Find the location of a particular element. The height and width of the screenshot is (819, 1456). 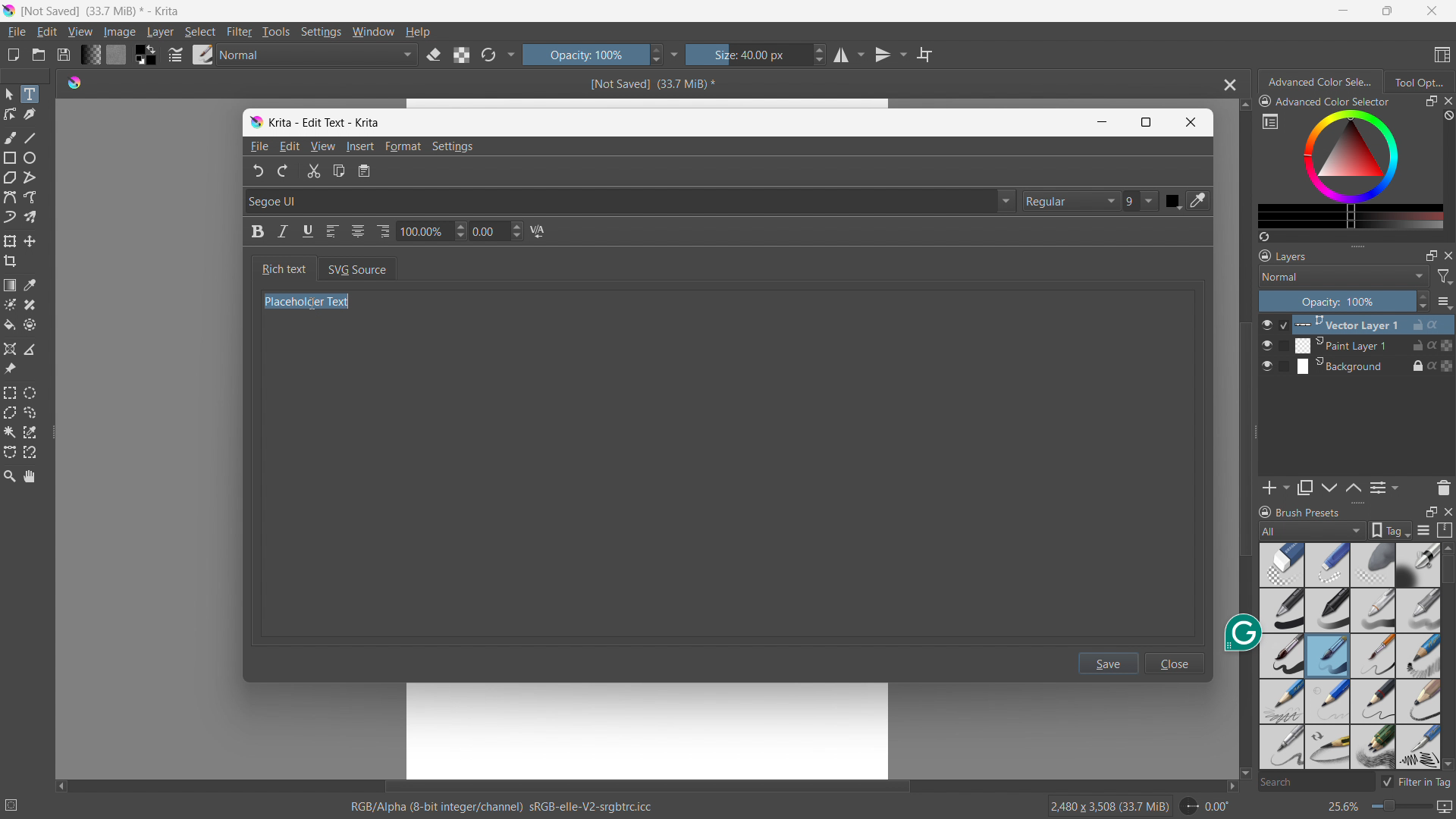

close document is located at coordinates (1226, 85).